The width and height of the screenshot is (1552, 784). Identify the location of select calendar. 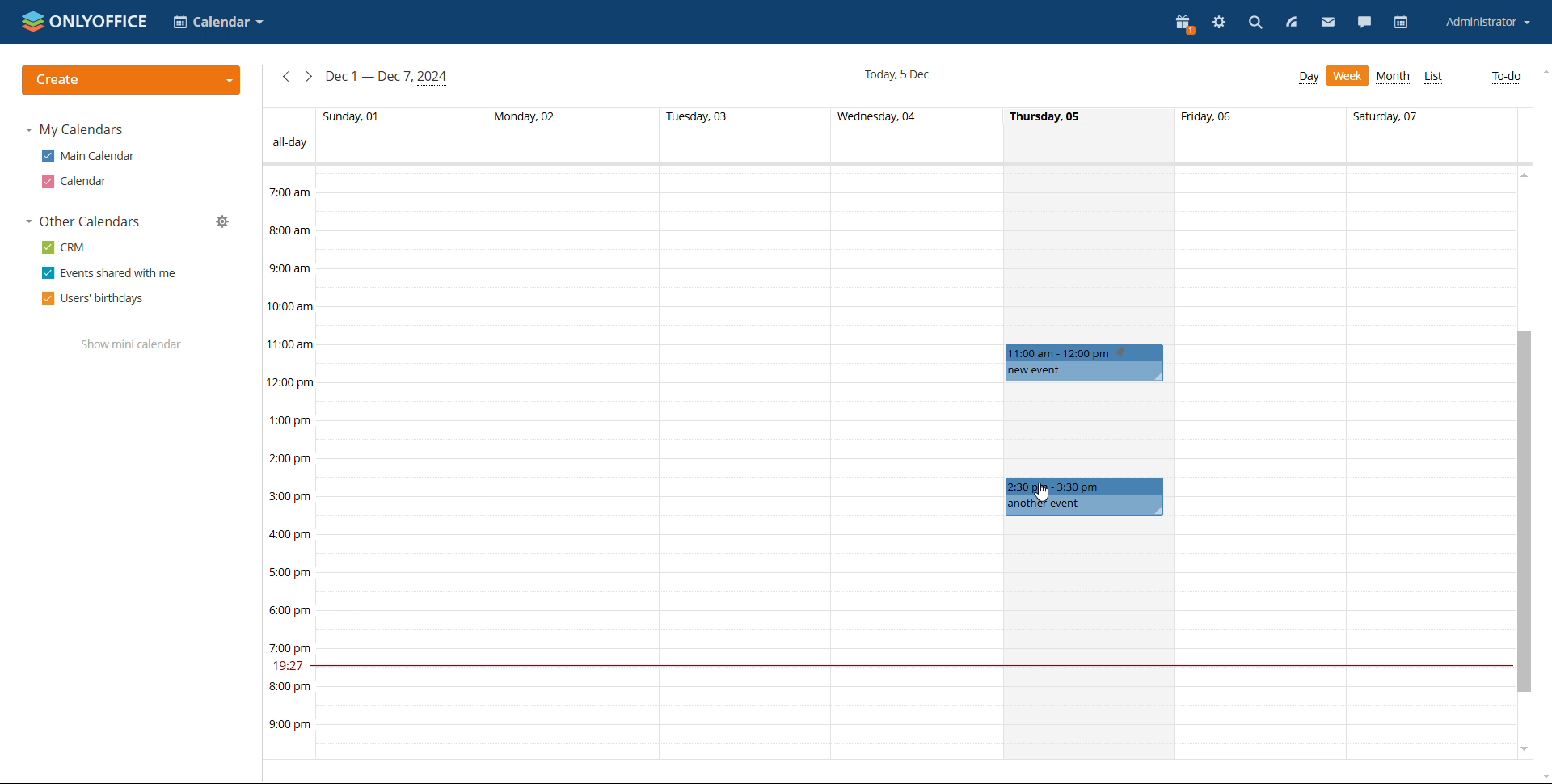
(218, 22).